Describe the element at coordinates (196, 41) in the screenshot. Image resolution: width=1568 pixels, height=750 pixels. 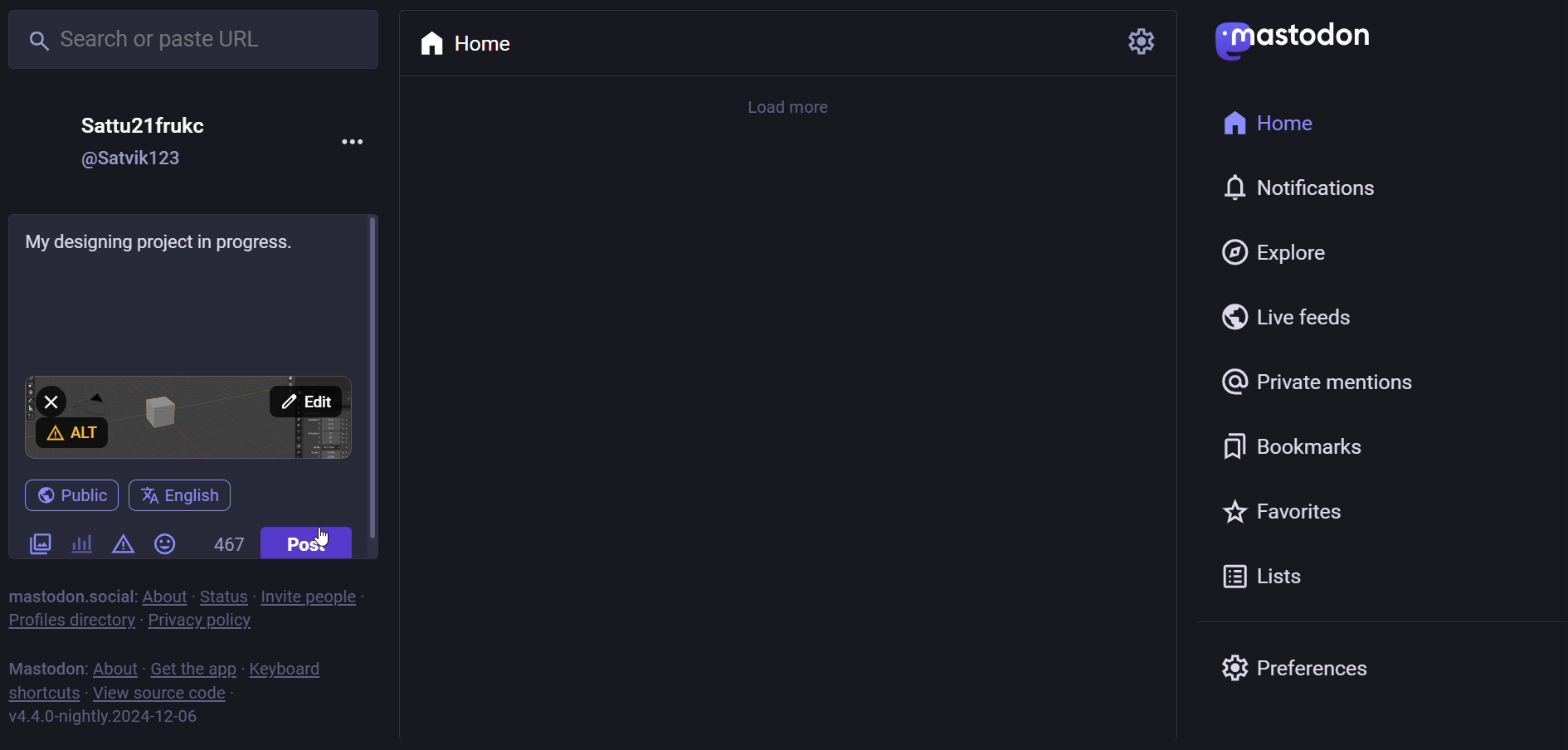
I see `search` at that location.